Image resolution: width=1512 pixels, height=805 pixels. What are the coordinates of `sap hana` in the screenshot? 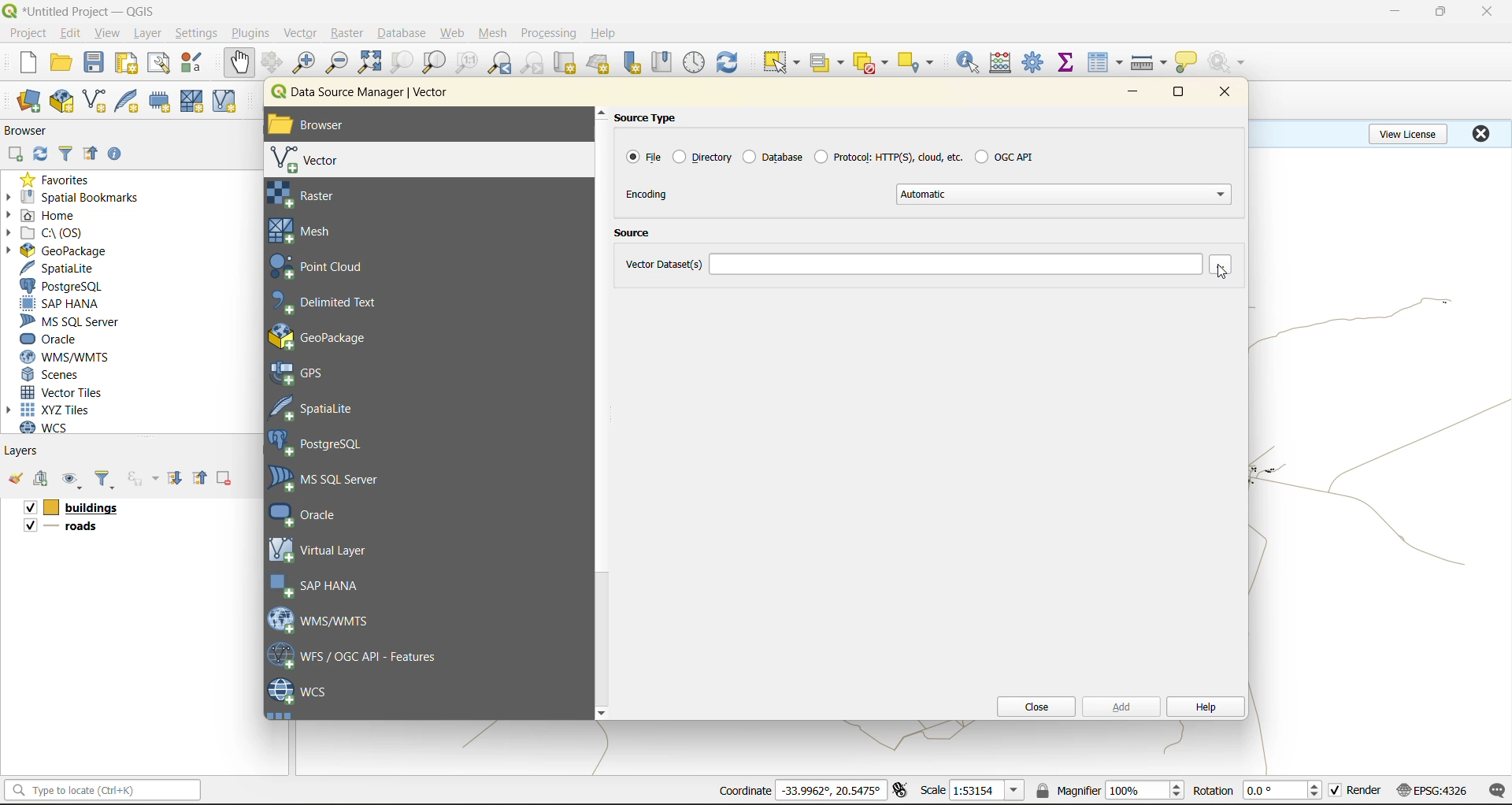 It's located at (61, 304).